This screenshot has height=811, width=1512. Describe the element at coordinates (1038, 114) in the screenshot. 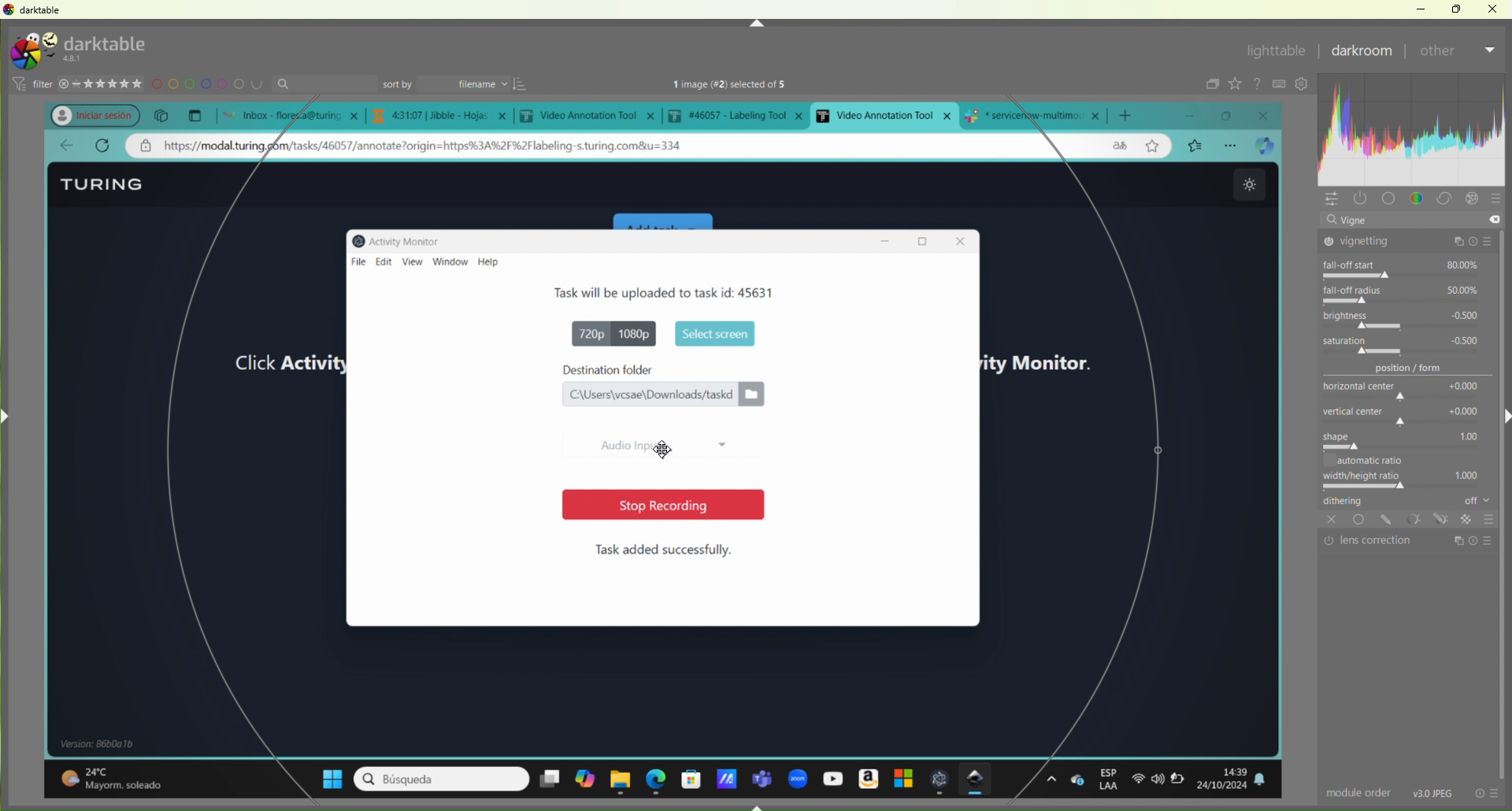

I see `tab` at that location.